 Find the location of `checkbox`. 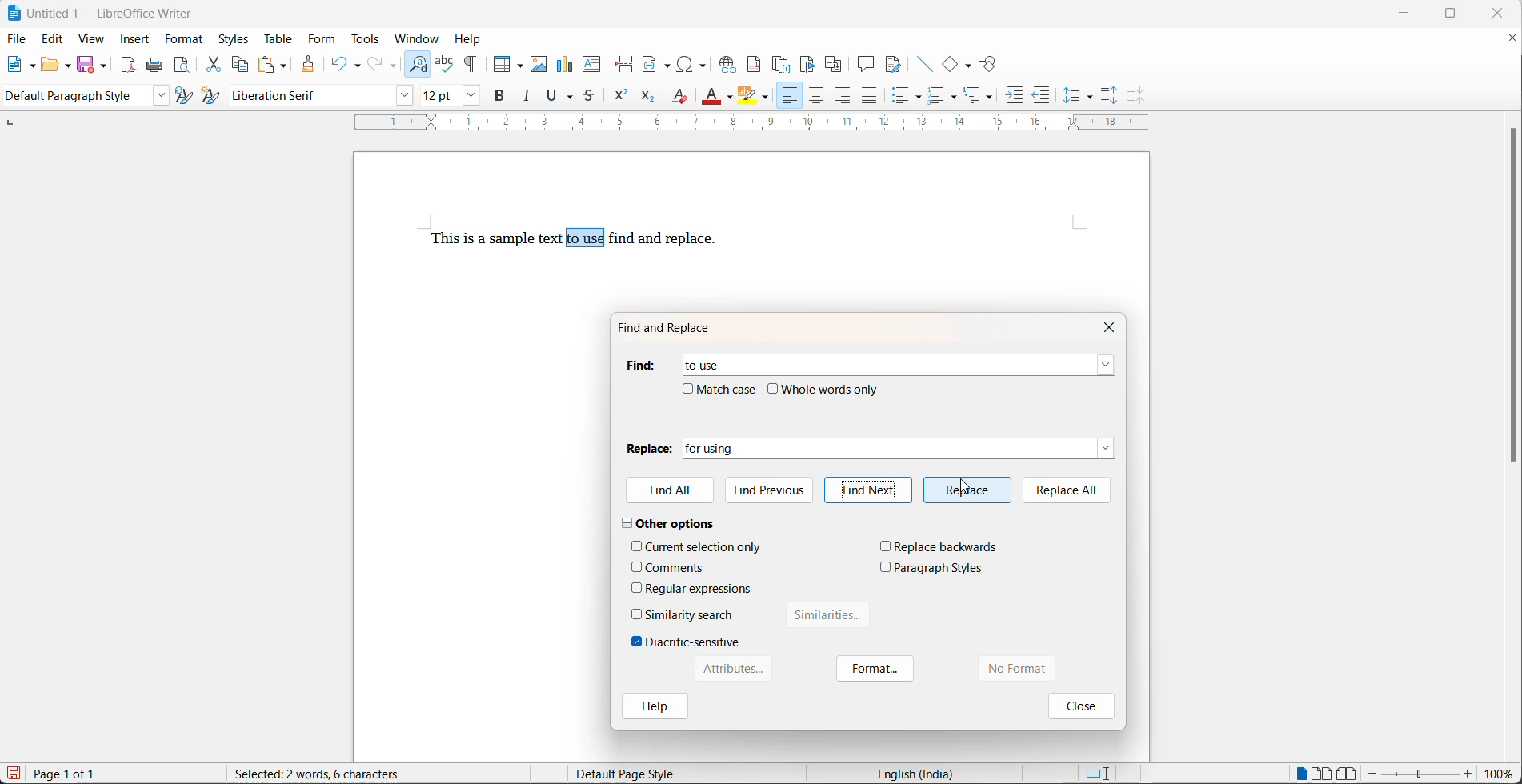

checkbox is located at coordinates (638, 614).